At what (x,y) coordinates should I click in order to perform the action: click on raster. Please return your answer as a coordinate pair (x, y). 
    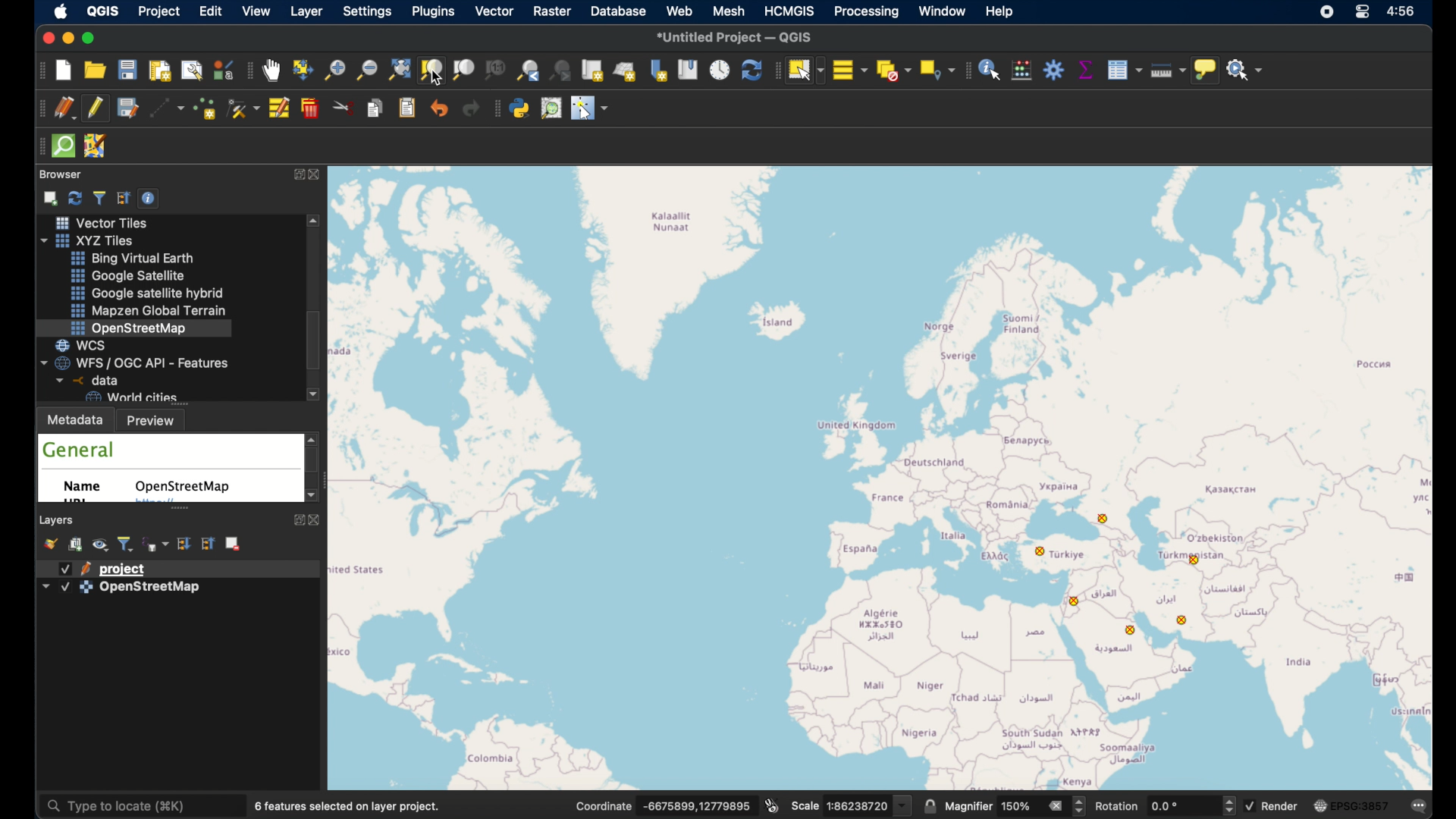
    Looking at the image, I should click on (553, 11).